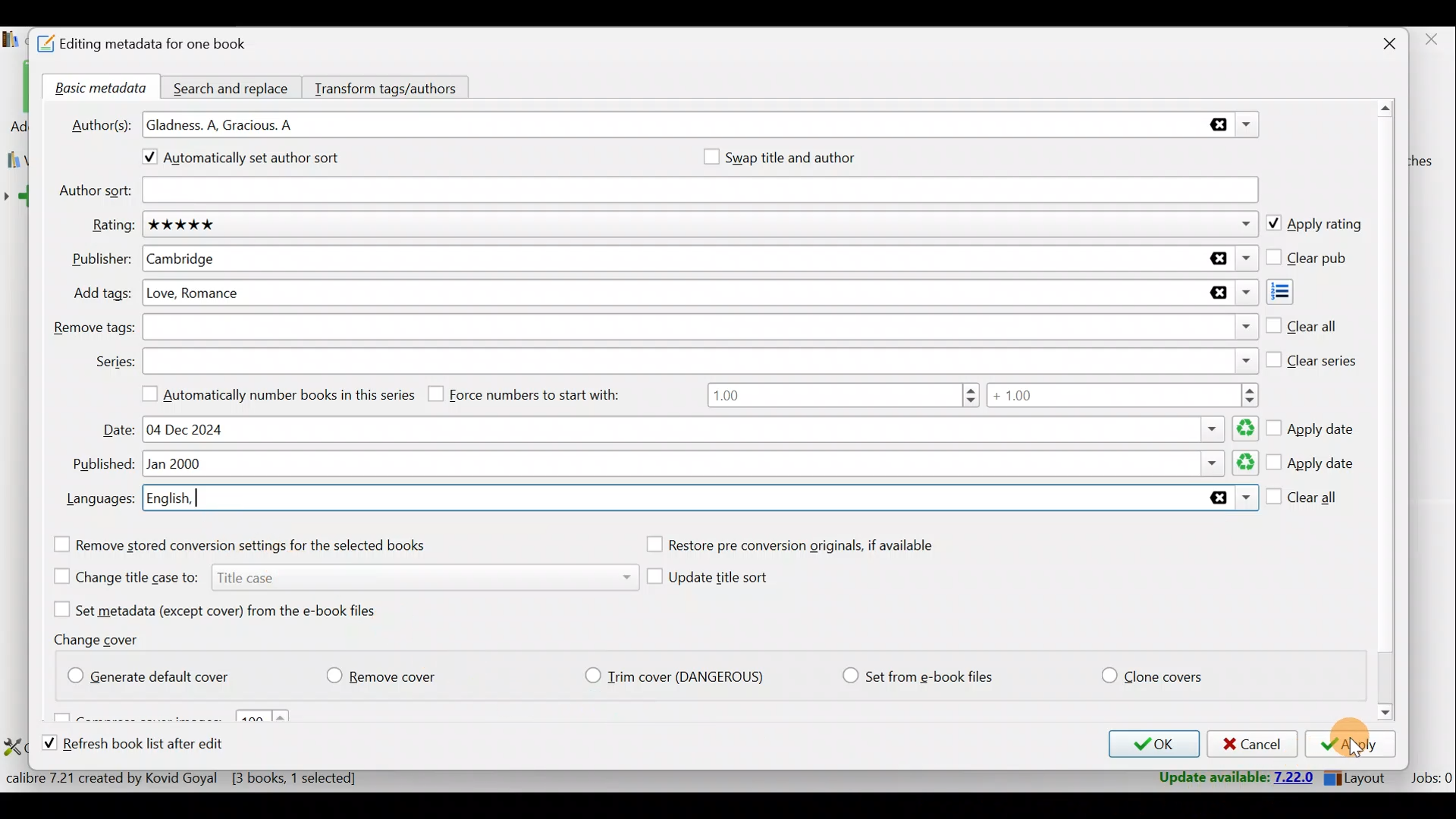  I want to click on Automatically set author sort, so click(253, 160).